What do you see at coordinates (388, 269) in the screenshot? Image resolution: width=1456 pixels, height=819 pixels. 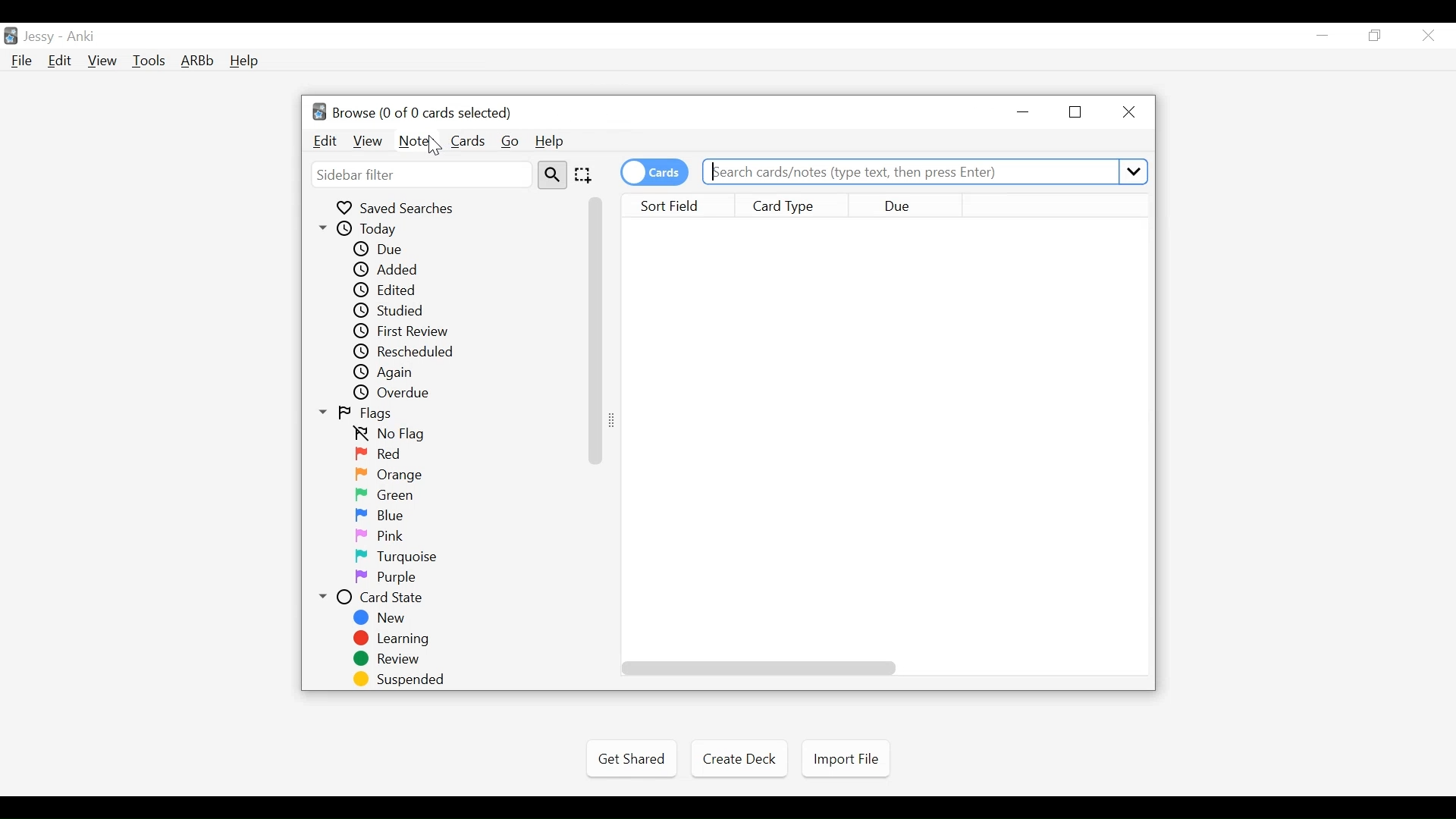 I see `Added` at bounding box center [388, 269].